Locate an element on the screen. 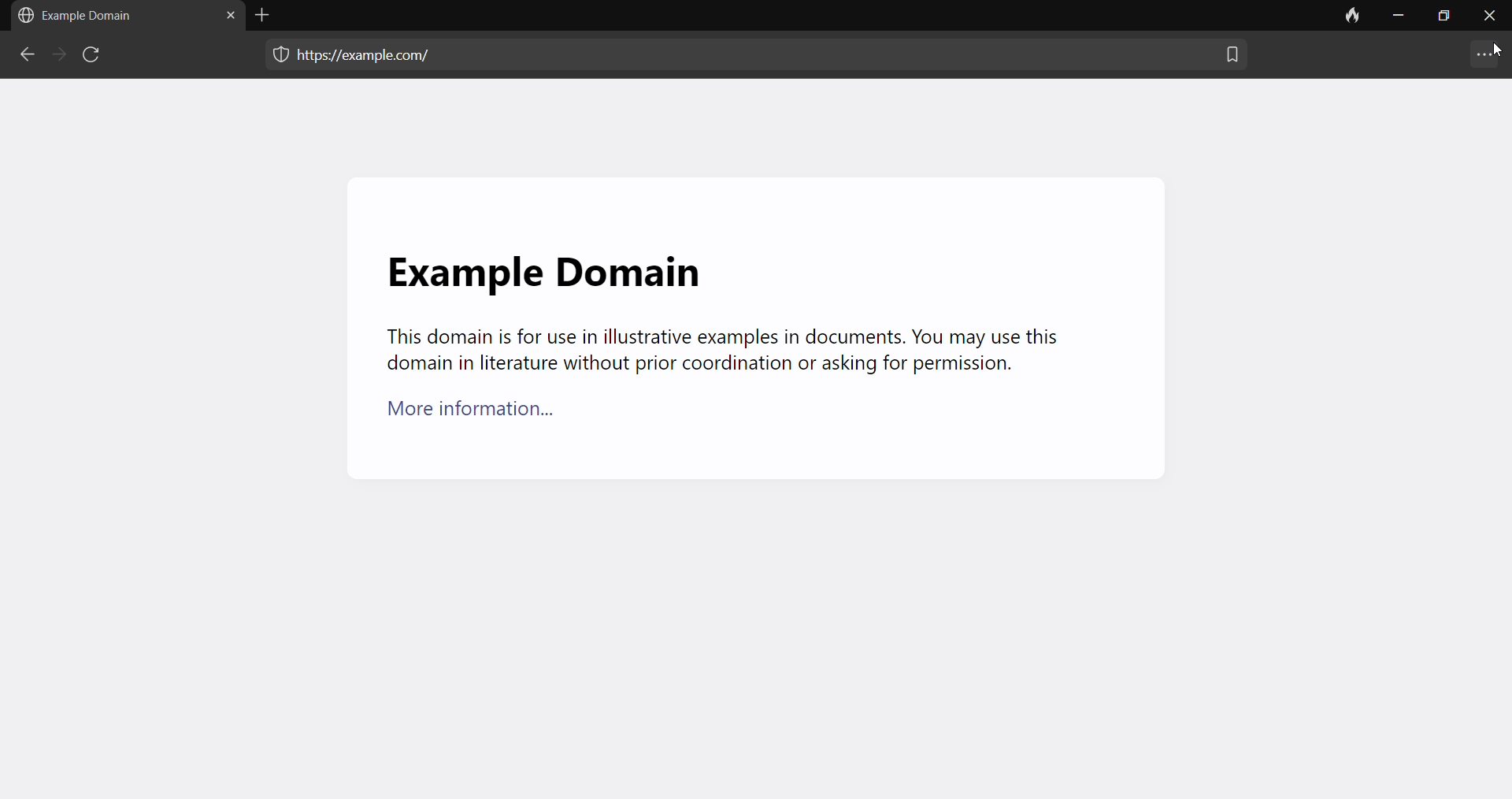 The width and height of the screenshot is (1512, 799). forward is located at coordinates (56, 55).